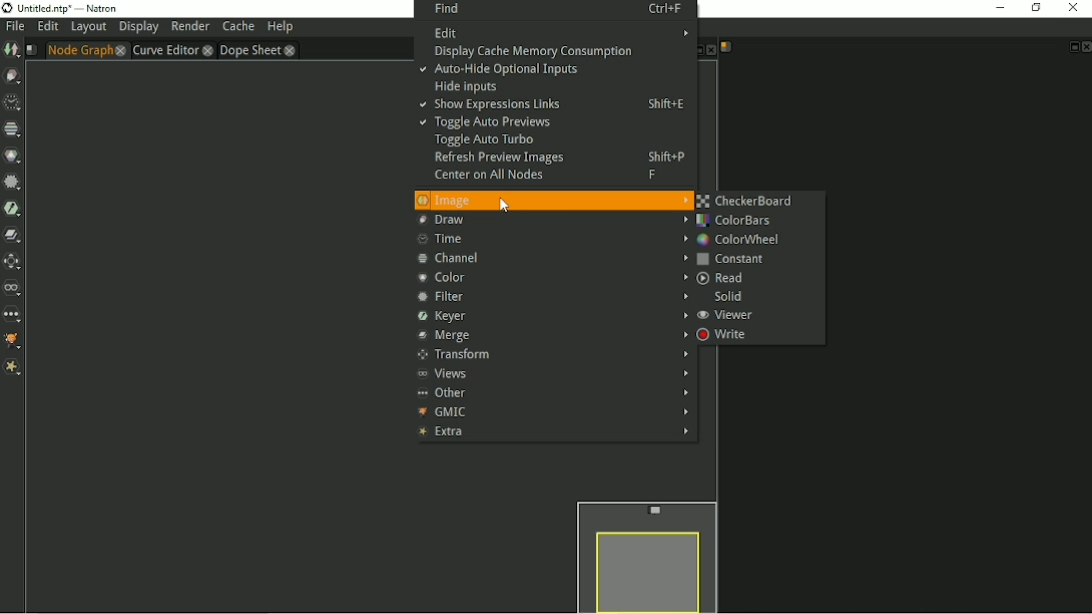 The height and width of the screenshot is (614, 1092). Describe the element at coordinates (644, 554) in the screenshot. I see `Preview` at that location.